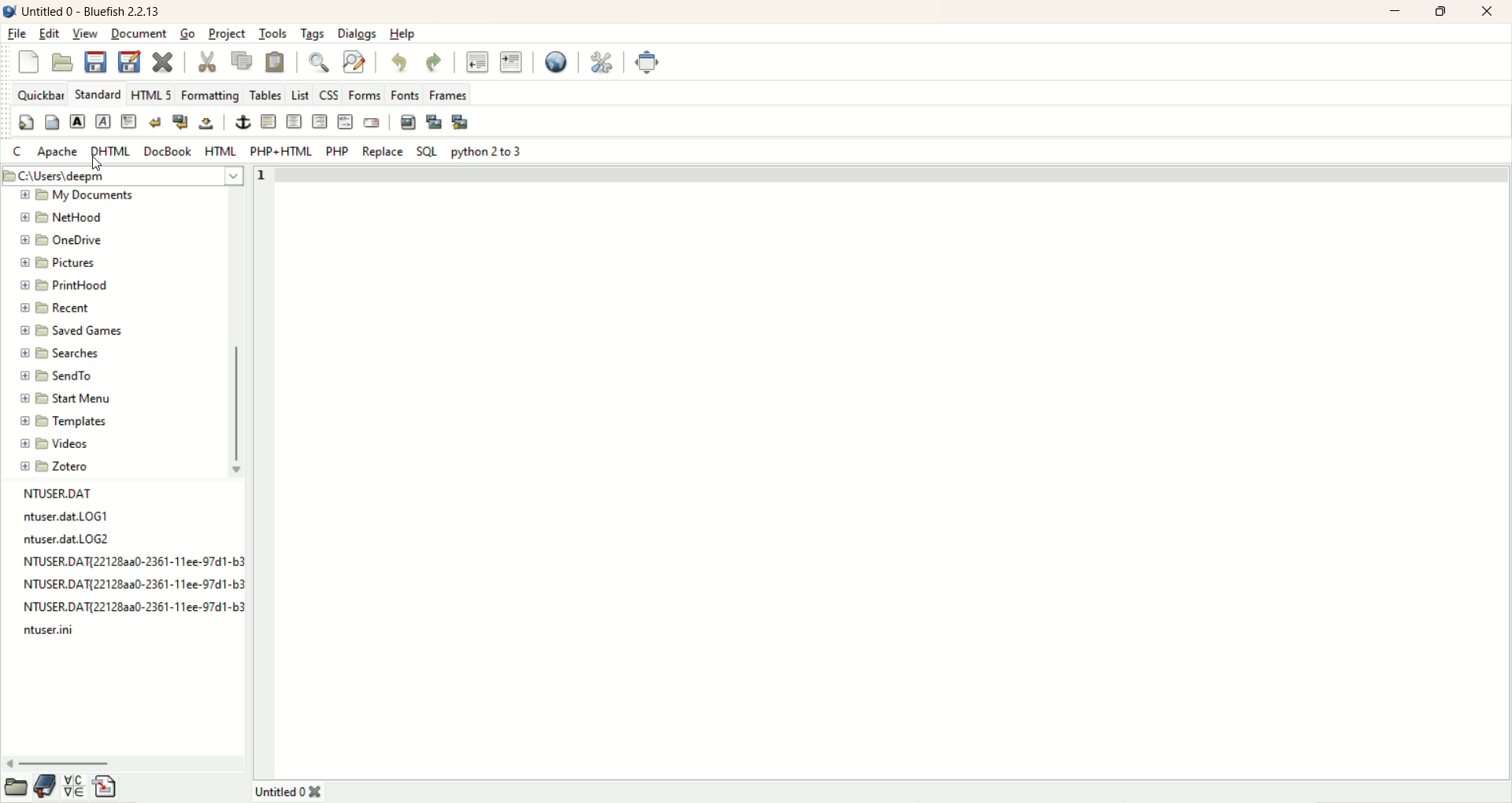 This screenshot has width=1512, height=803. What do you see at coordinates (57, 374) in the screenshot?
I see `send menu` at bounding box center [57, 374].